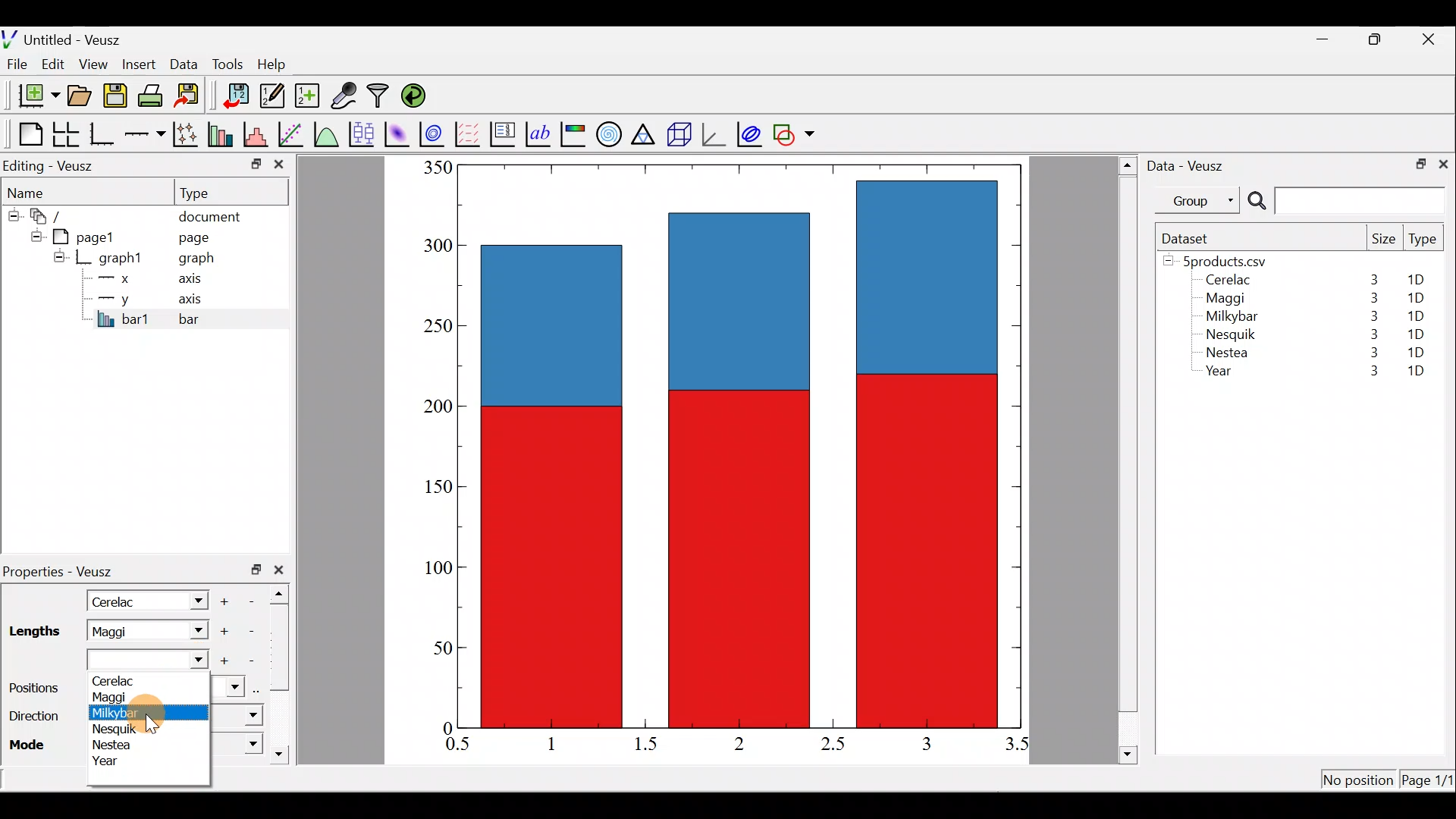  What do you see at coordinates (1223, 260) in the screenshot?
I see `5products.csv` at bounding box center [1223, 260].